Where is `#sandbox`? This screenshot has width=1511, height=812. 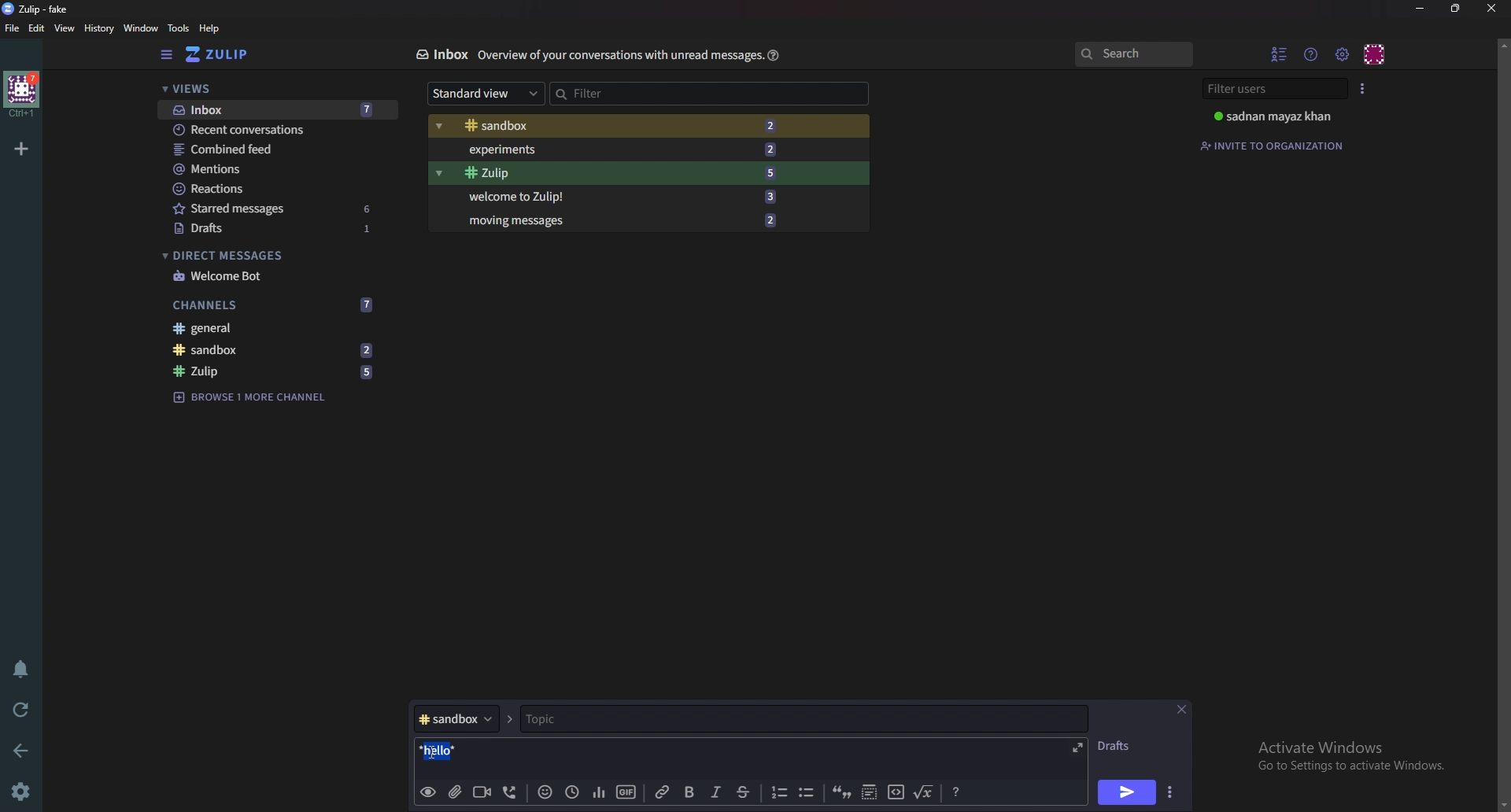 #sandbox is located at coordinates (464, 718).